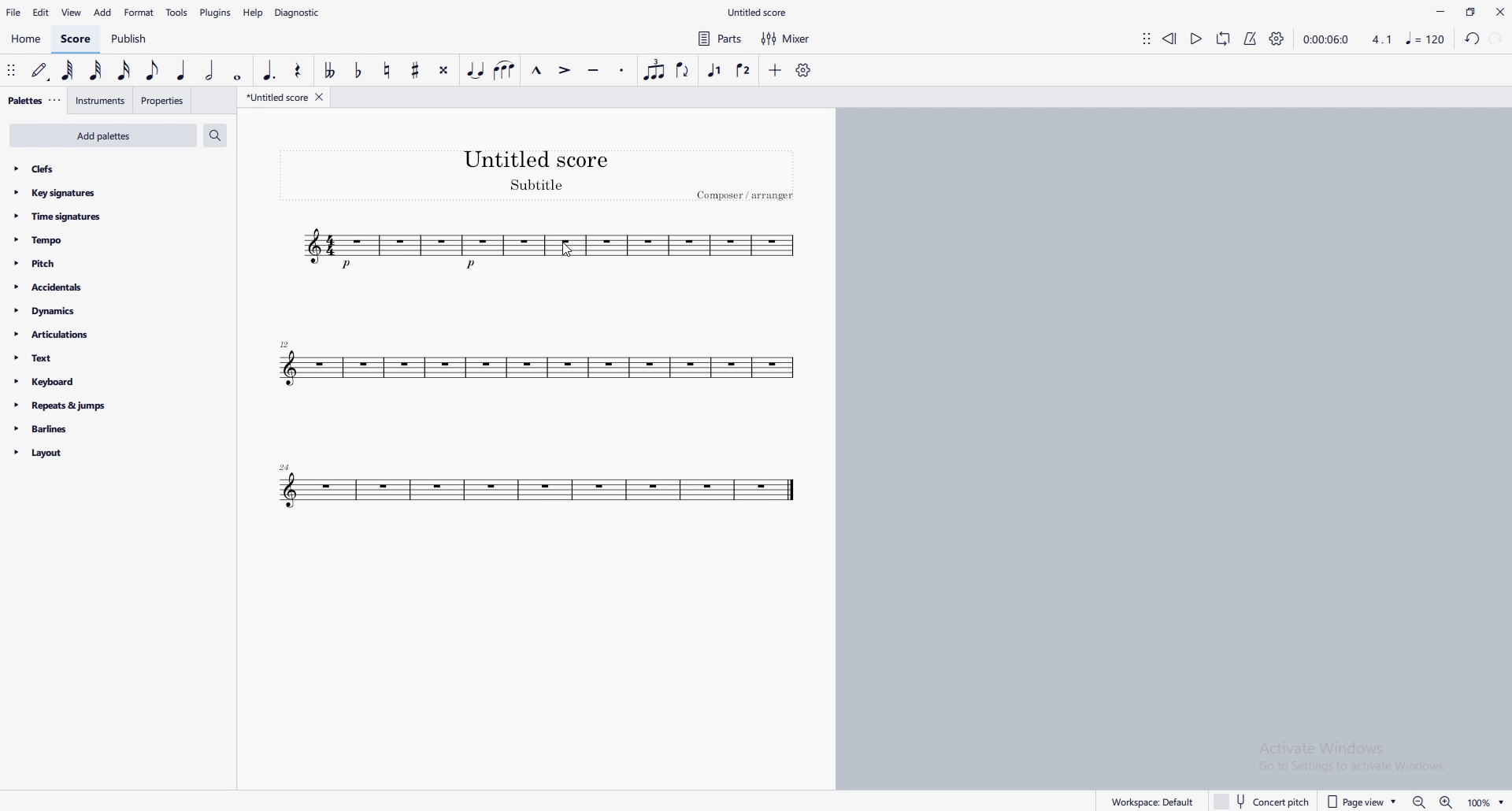  I want to click on toggle natural, so click(387, 69).